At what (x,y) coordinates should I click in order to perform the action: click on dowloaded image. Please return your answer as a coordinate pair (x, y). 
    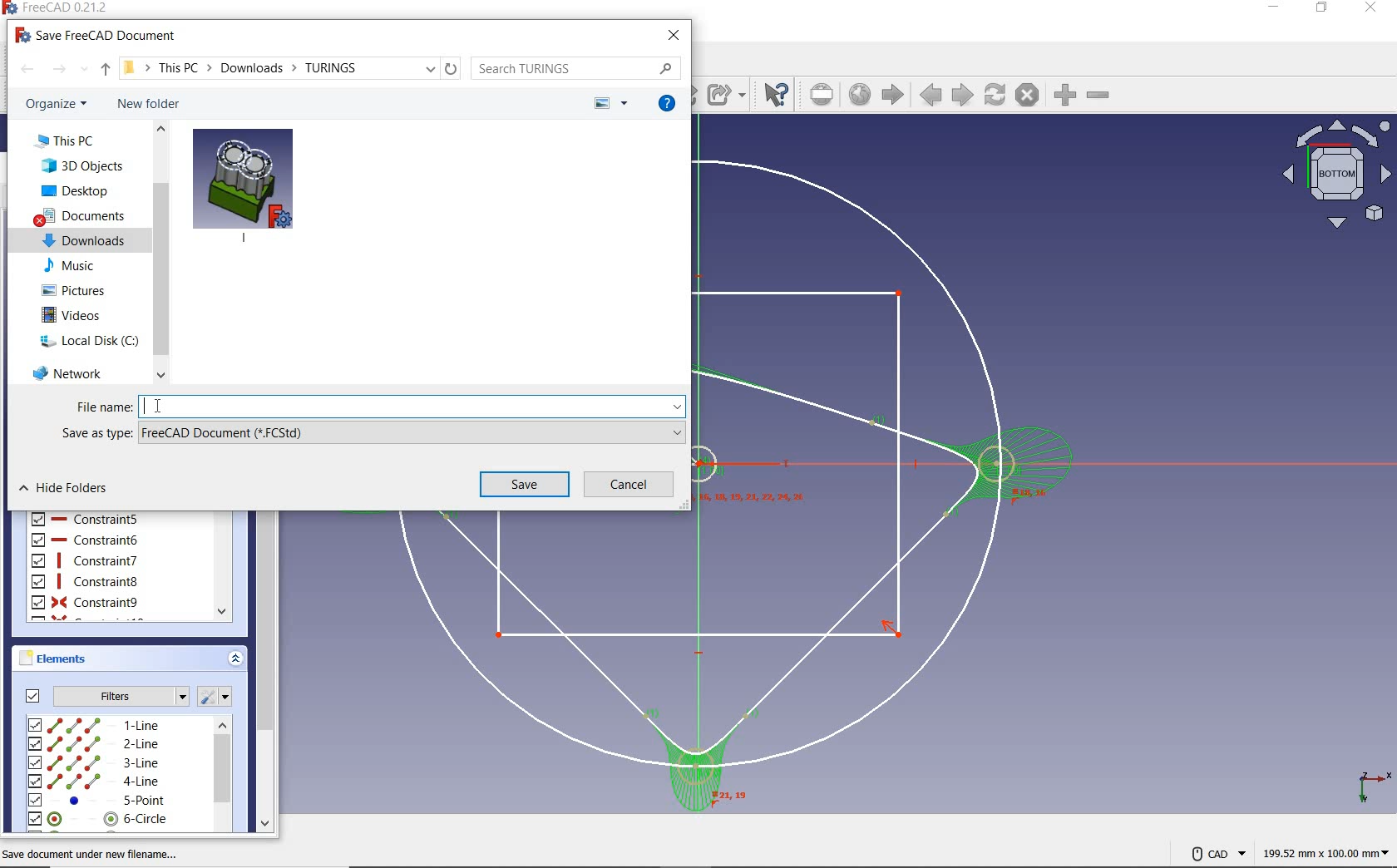
    Looking at the image, I should click on (243, 185).